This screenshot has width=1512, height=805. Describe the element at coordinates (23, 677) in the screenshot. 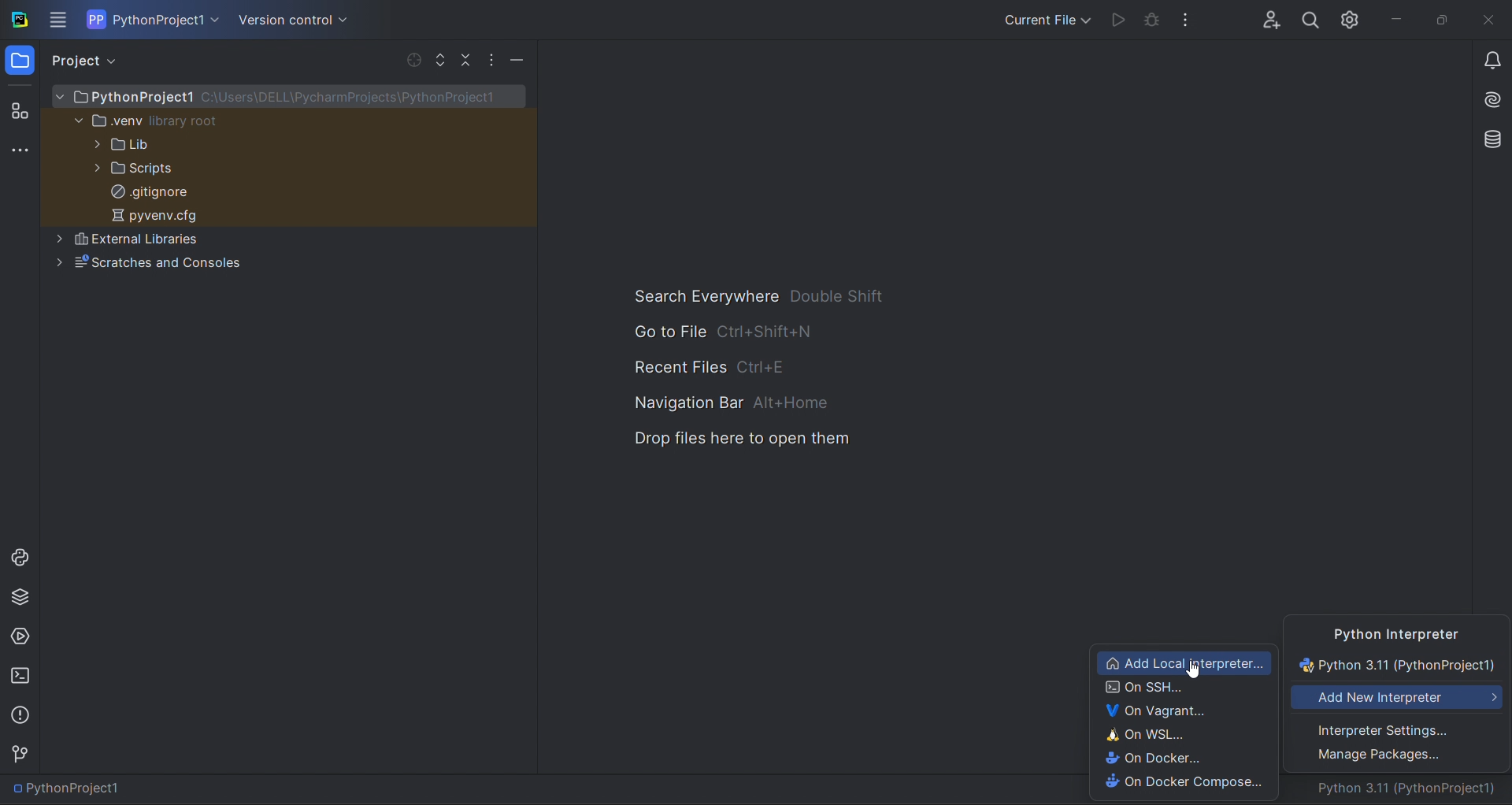

I see `terminal` at that location.